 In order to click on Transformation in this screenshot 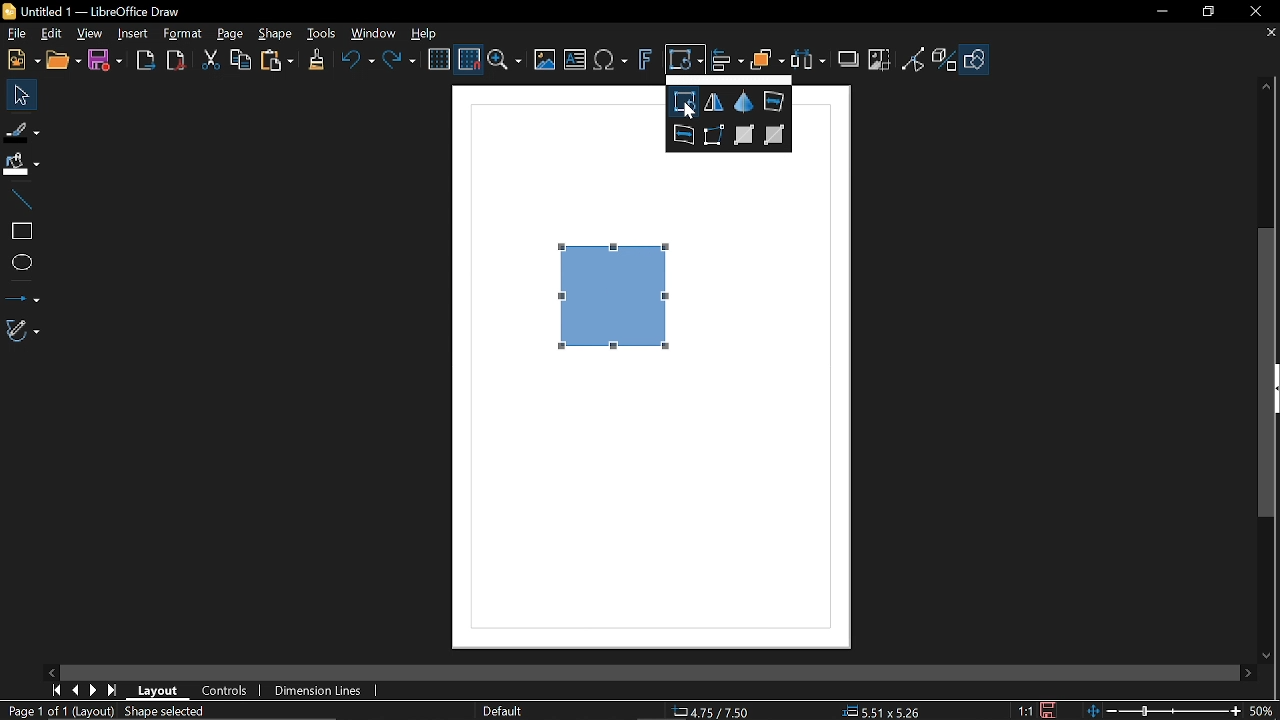, I will do `click(683, 61)`.